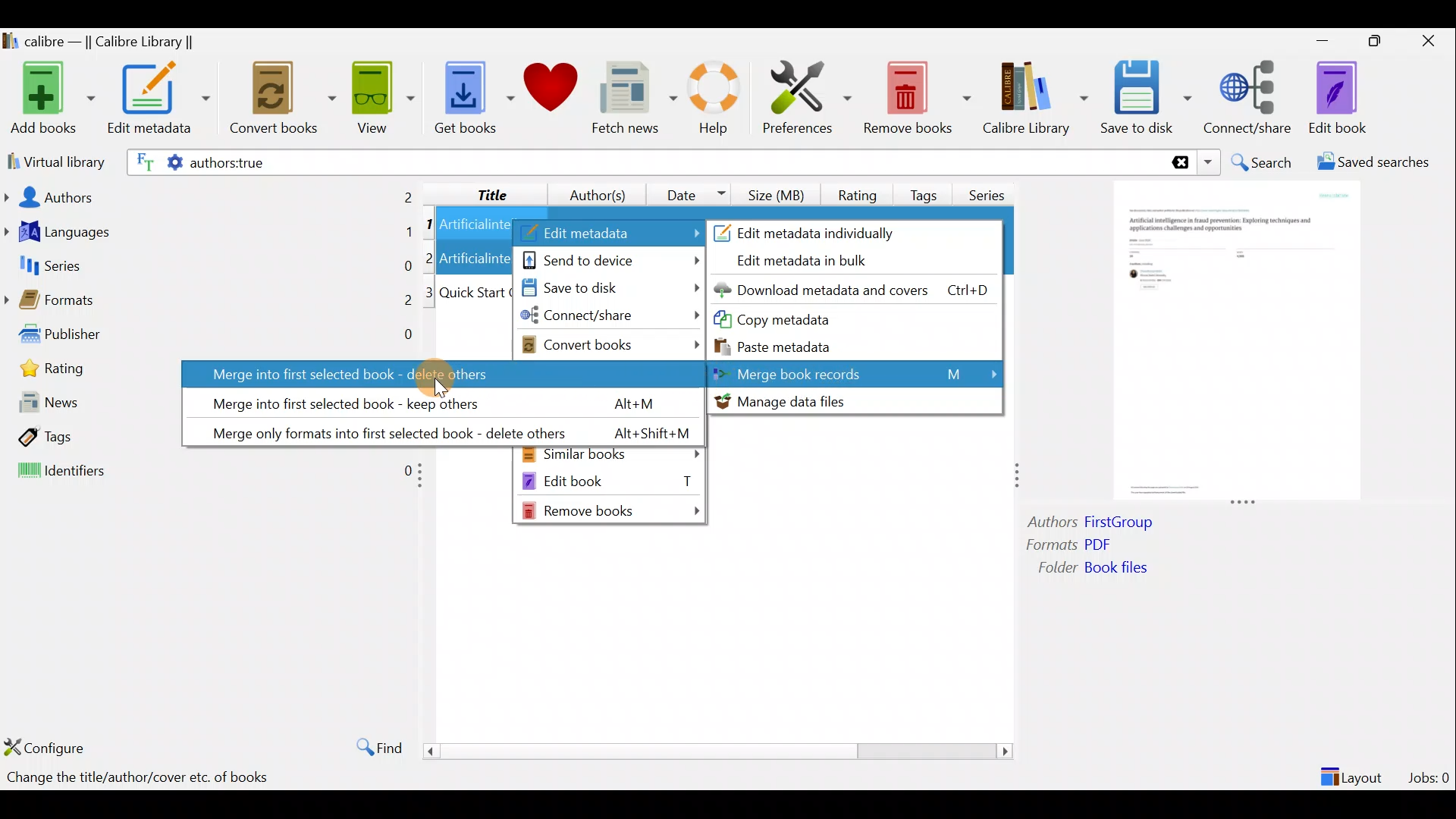 This screenshot has height=819, width=1456. Describe the element at coordinates (611, 456) in the screenshot. I see `Similar books` at that location.